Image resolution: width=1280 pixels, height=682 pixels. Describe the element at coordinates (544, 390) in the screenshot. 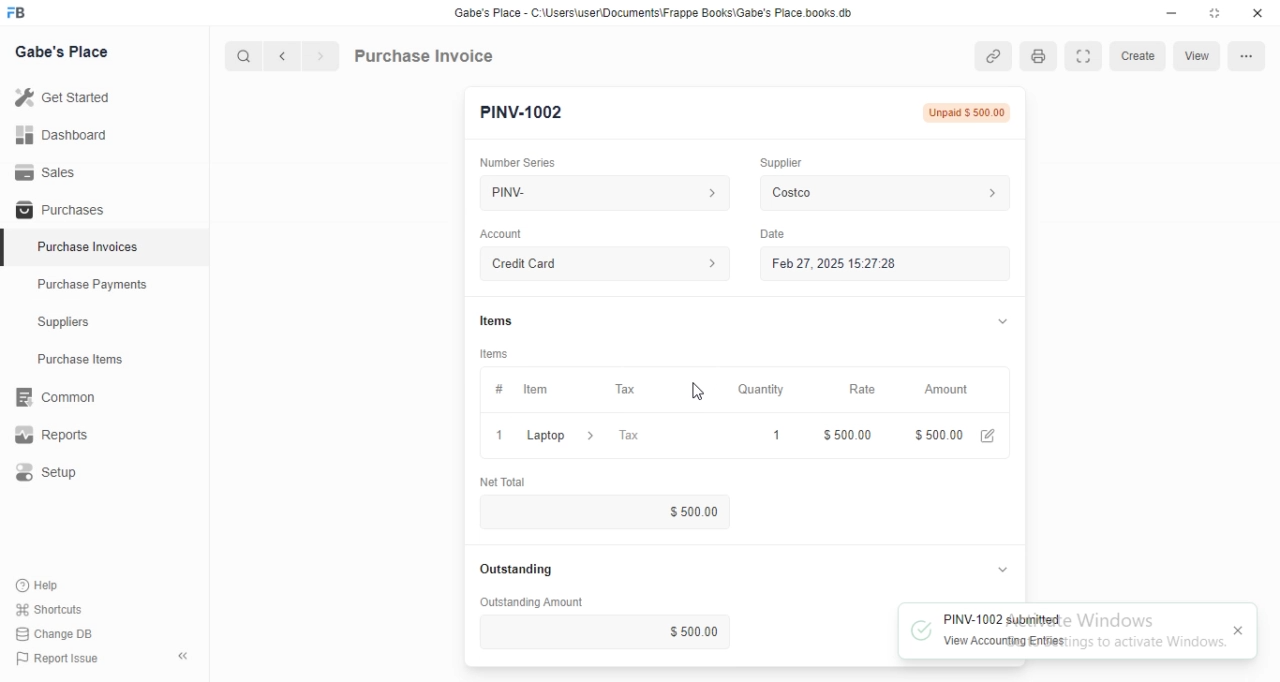

I see `# Item` at that location.